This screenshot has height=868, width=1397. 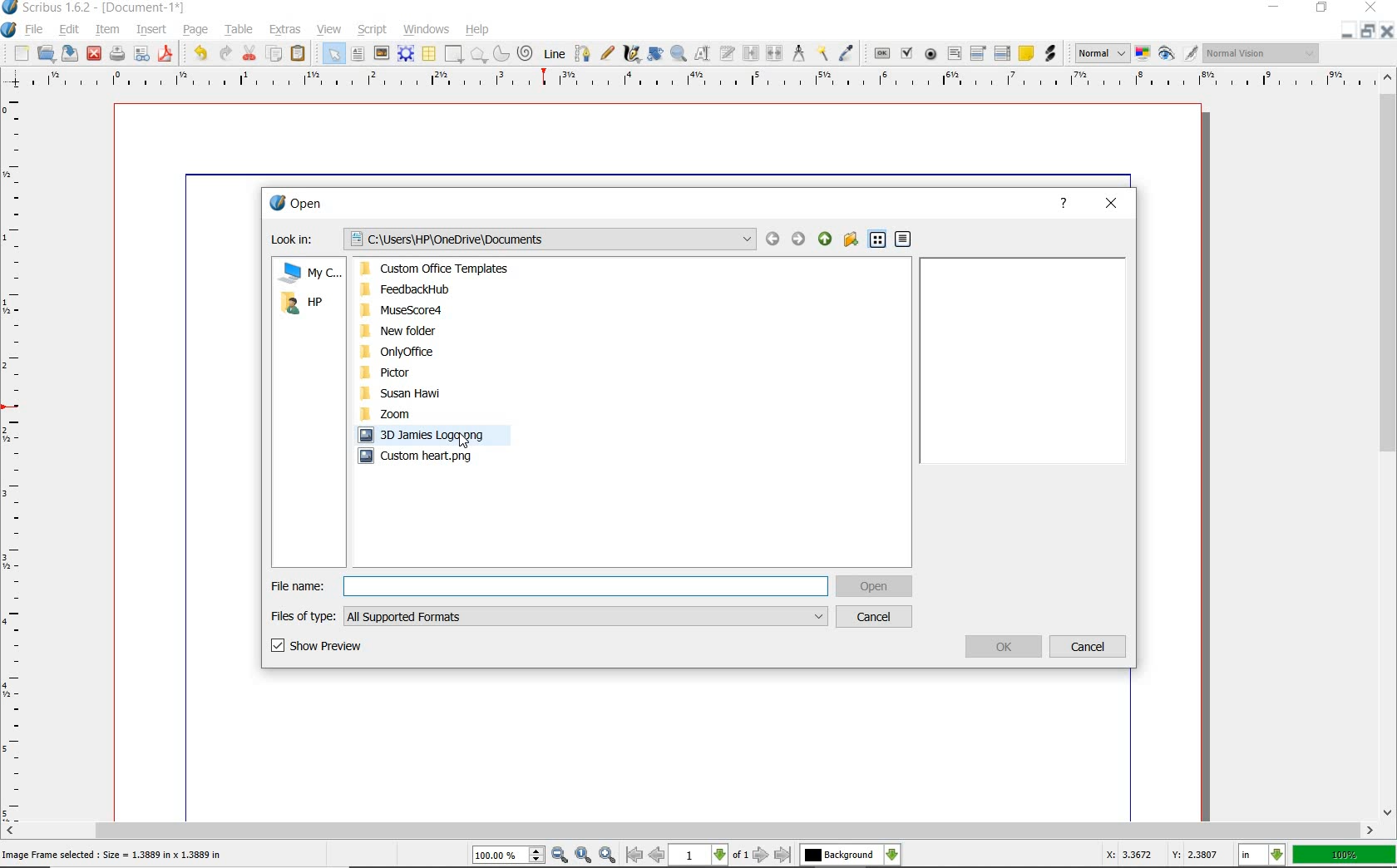 I want to click on 3D Jamies Logo.png, so click(x=435, y=435).